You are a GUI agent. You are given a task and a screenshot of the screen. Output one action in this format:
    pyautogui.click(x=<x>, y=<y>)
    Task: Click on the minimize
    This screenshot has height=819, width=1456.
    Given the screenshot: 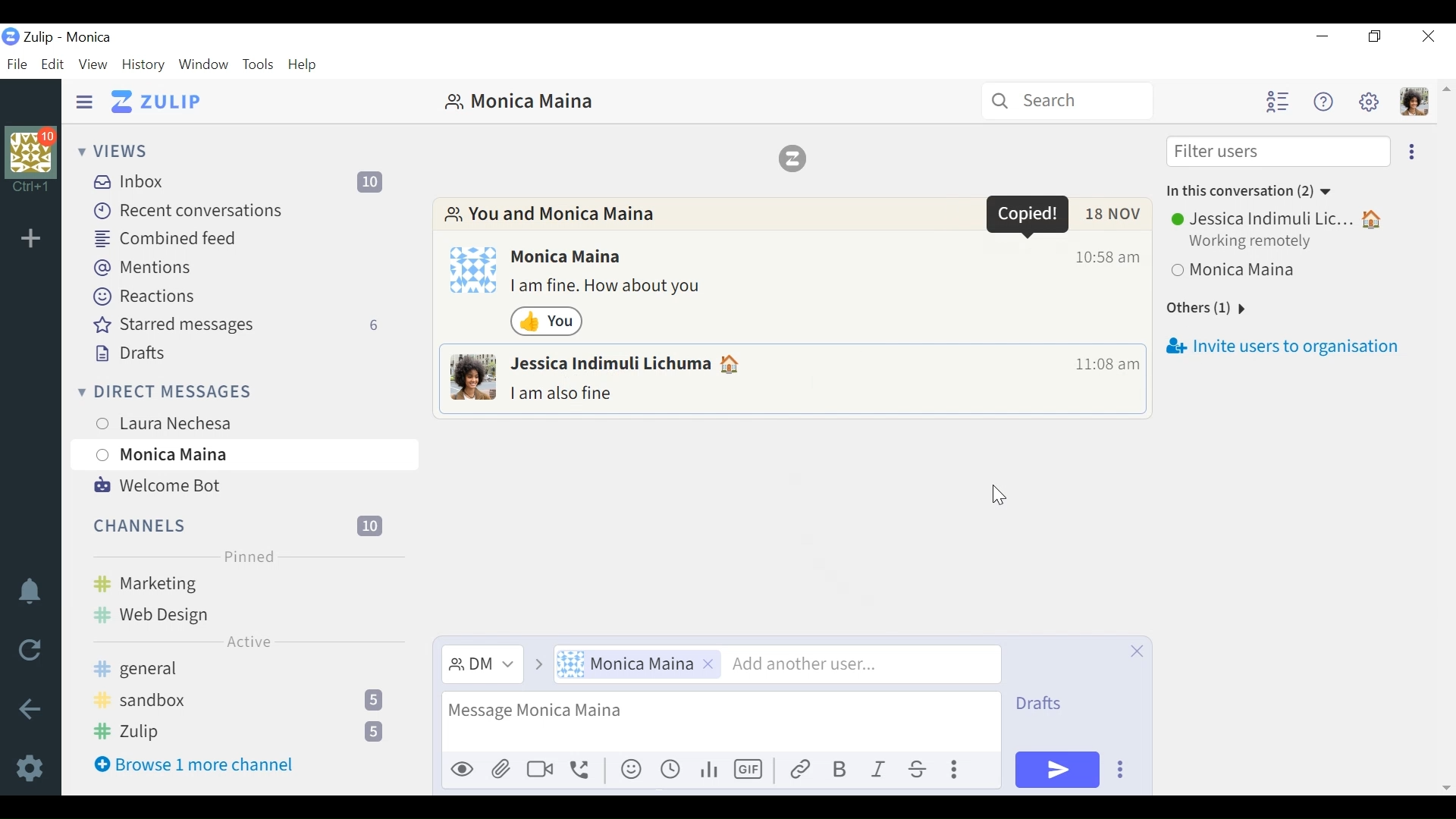 What is the action you would take?
    pyautogui.click(x=1325, y=37)
    